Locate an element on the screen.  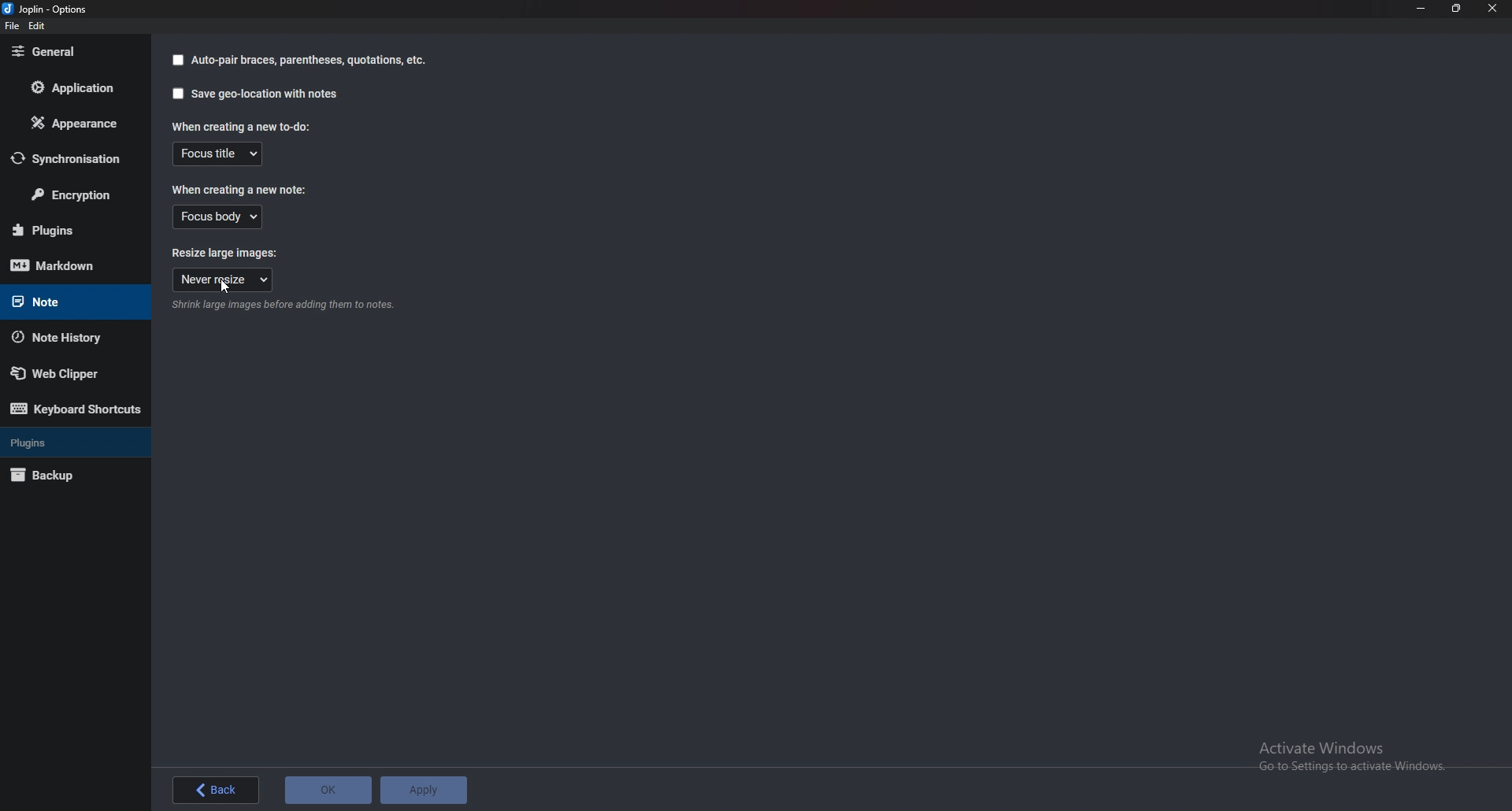
Save geo location with notes is located at coordinates (257, 93).